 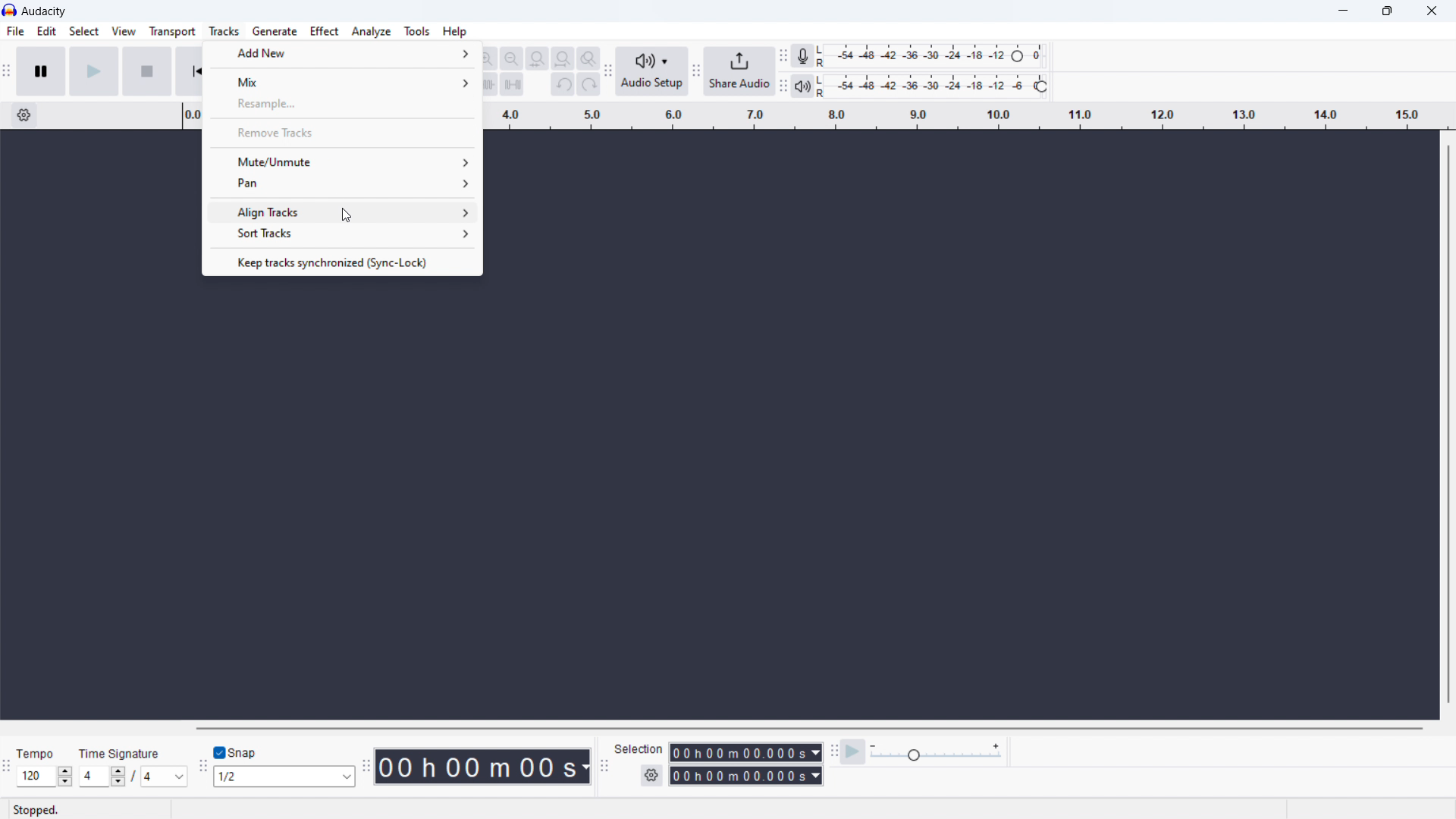 What do you see at coordinates (251, 752) in the screenshot?
I see `snap` at bounding box center [251, 752].